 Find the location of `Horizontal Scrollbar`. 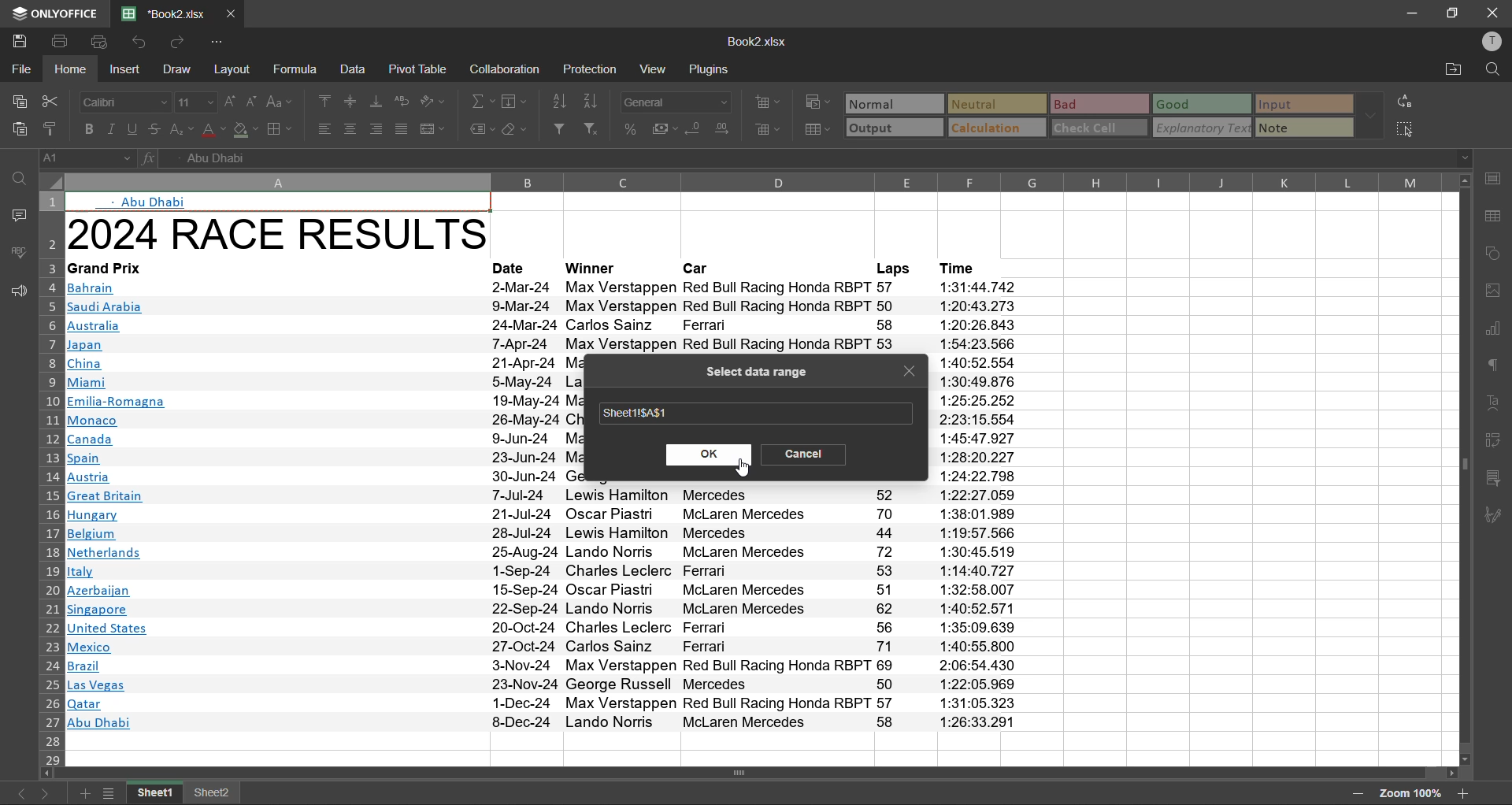

Horizontal Scrollbar is located at coordinates (1457, 469).